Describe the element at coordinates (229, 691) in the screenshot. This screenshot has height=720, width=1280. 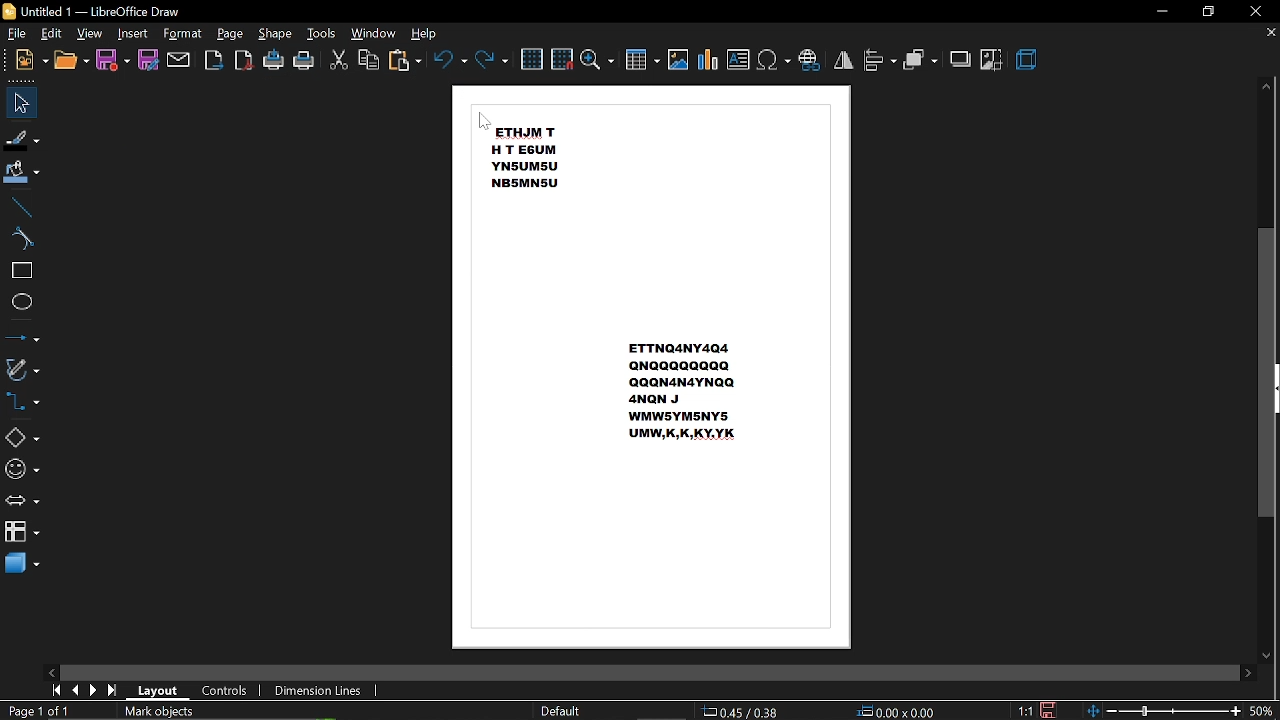
I see `controls` at that location.